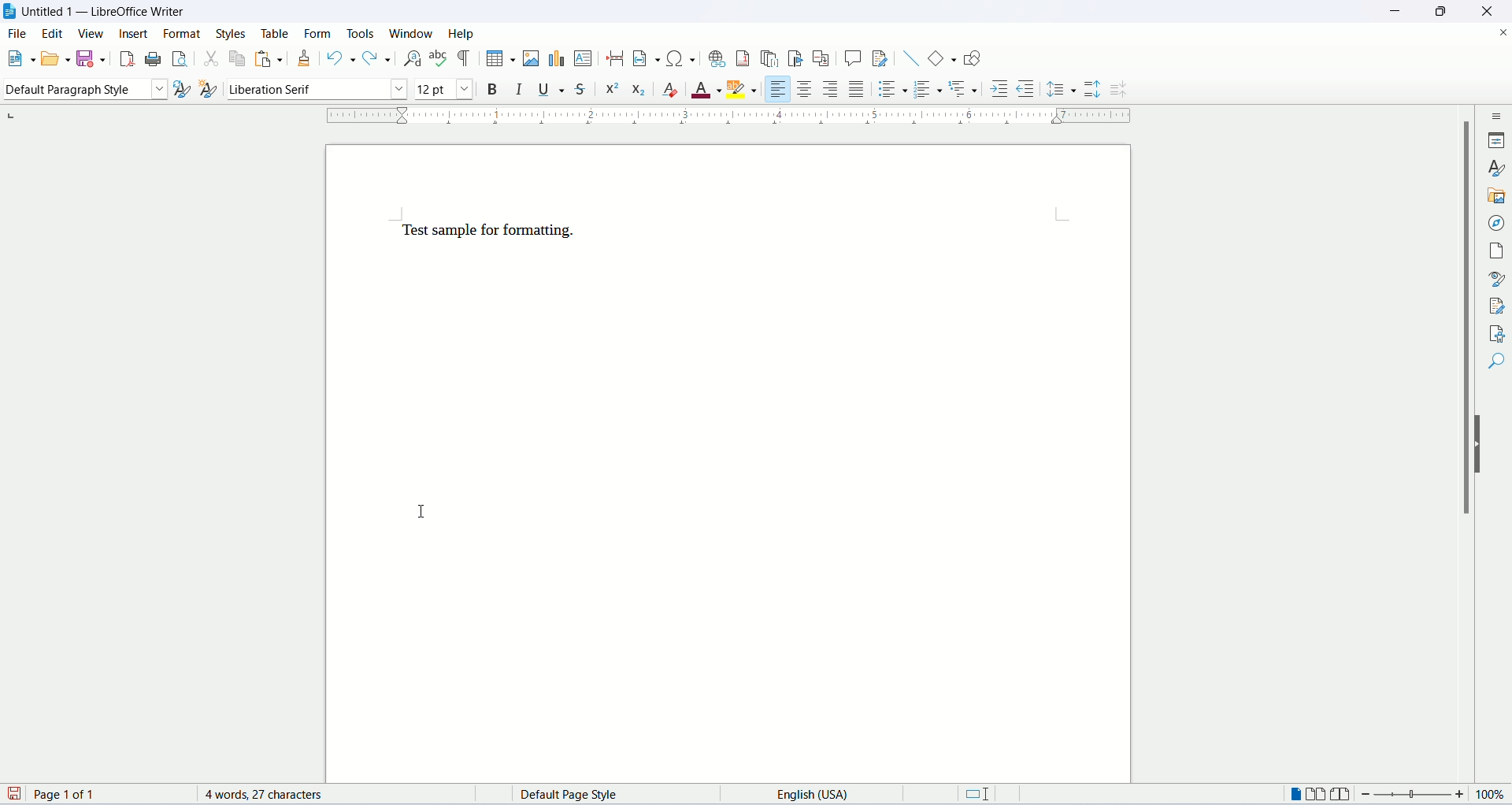 Image resolution: width=1512 pixels, height=805 pixels. I want to click on insert hyperlink, so click(715, 57).